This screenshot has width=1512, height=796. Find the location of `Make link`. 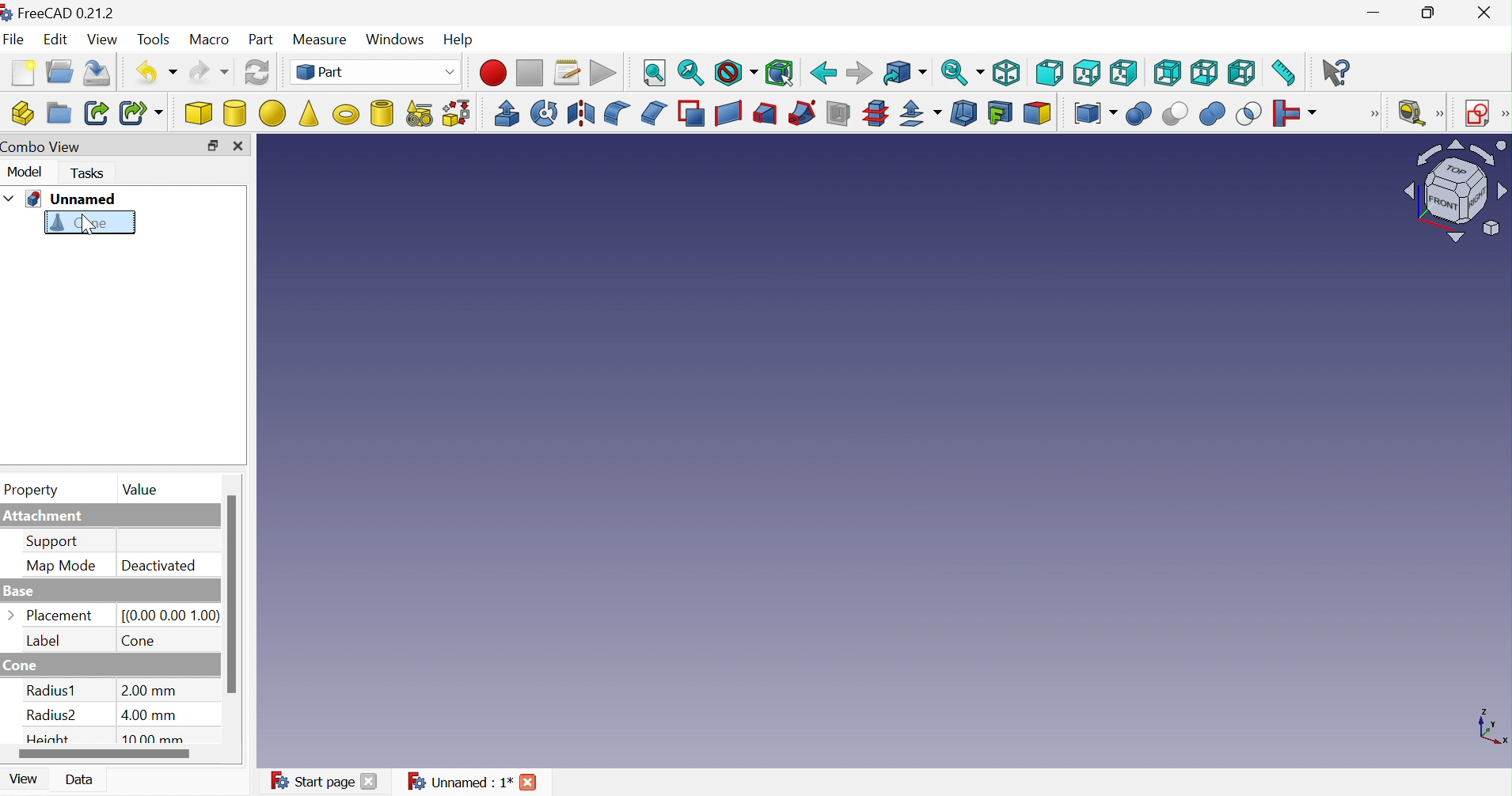

Make link is located at coordinates (95, 112).